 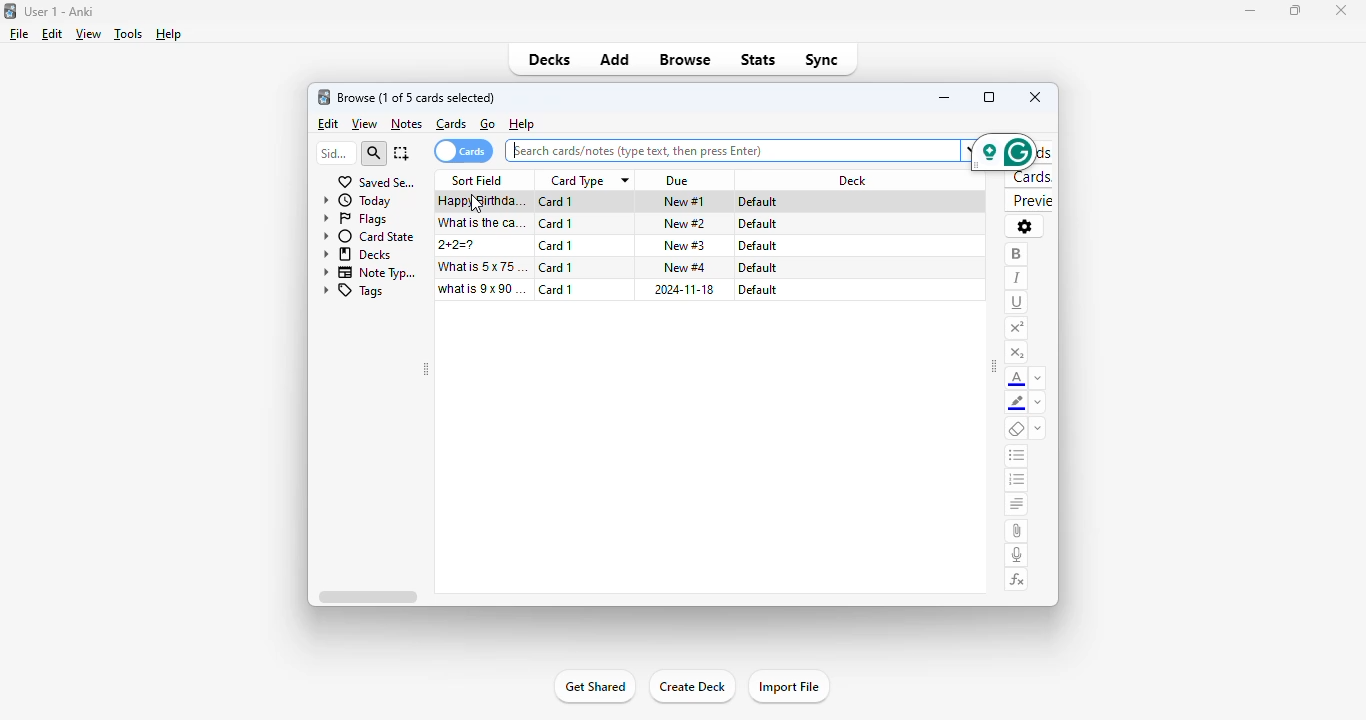 I want to click on underline, so click(x=1016, y=303).